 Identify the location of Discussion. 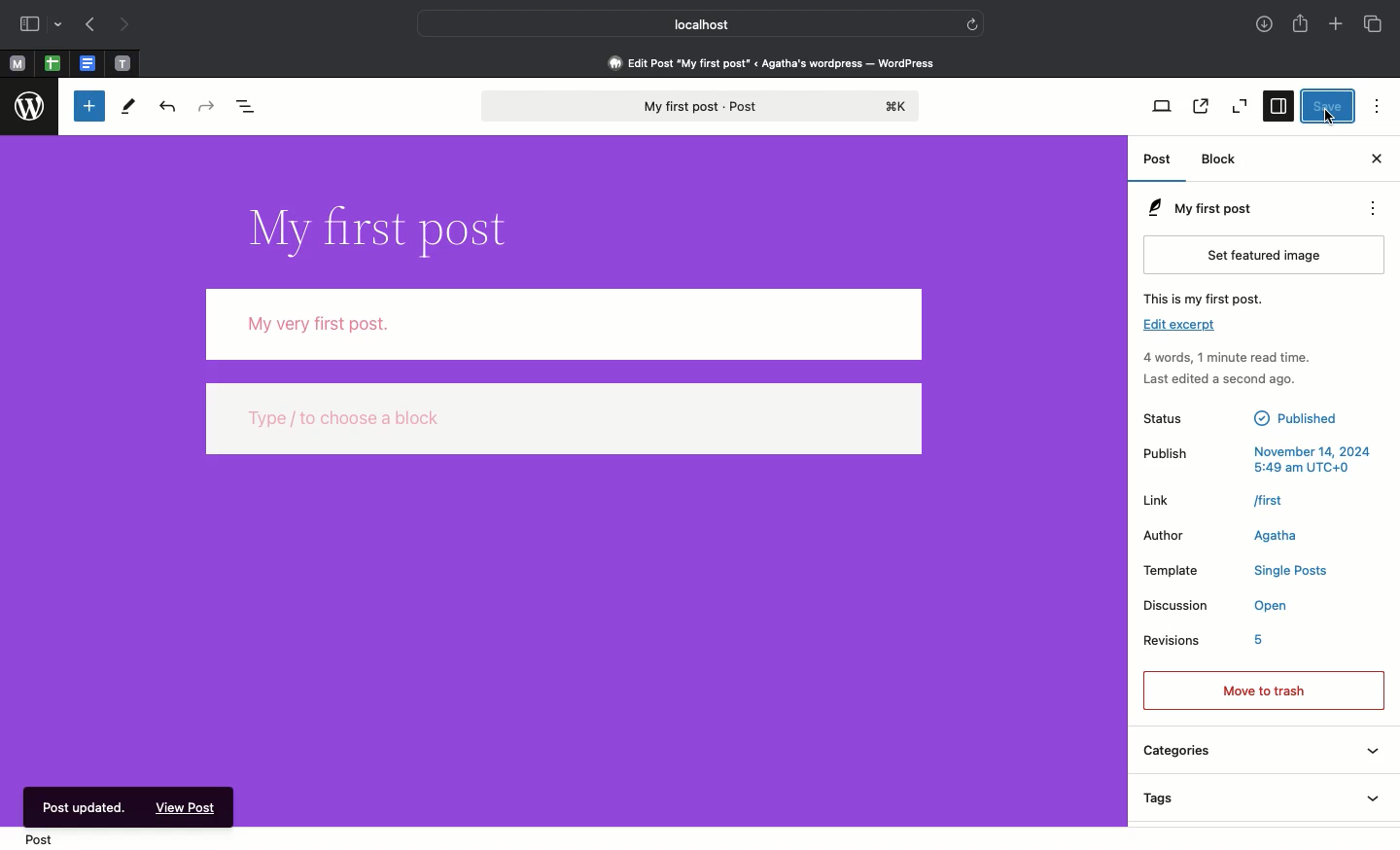
(1217, 605).